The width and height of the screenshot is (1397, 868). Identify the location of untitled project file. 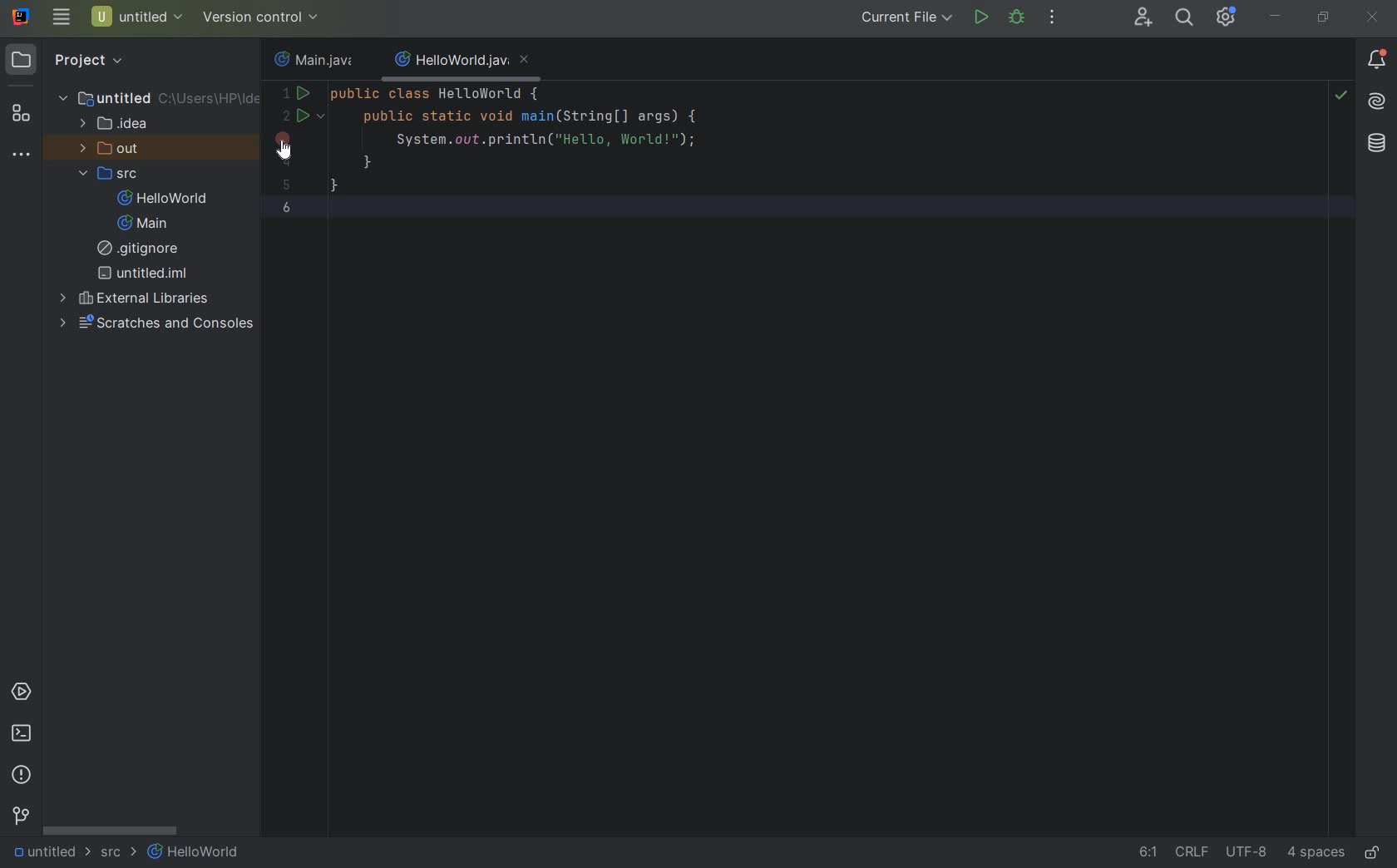
(136, 17).